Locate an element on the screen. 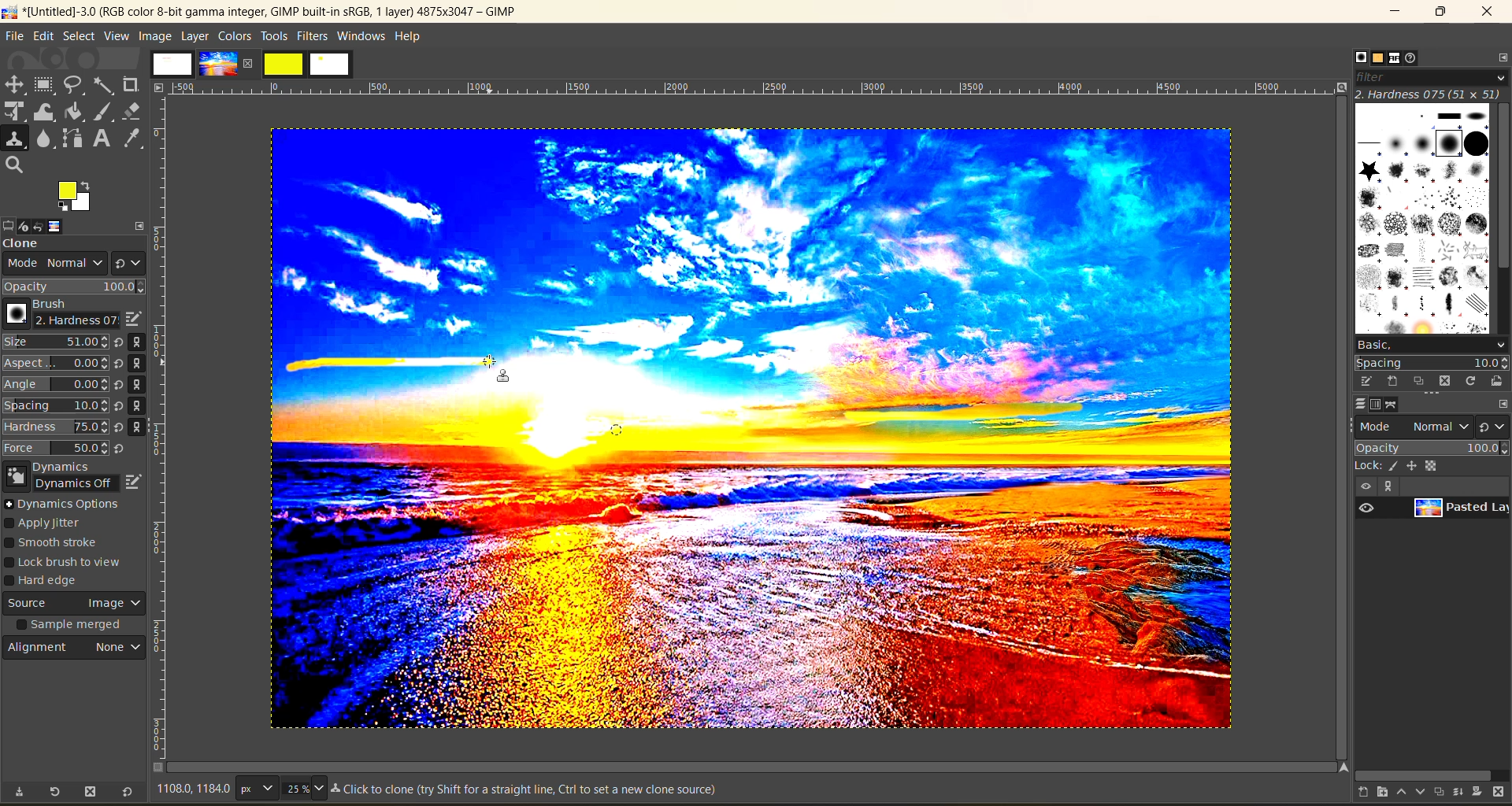  Angle 0.00 is located at coordinates (56, 386).